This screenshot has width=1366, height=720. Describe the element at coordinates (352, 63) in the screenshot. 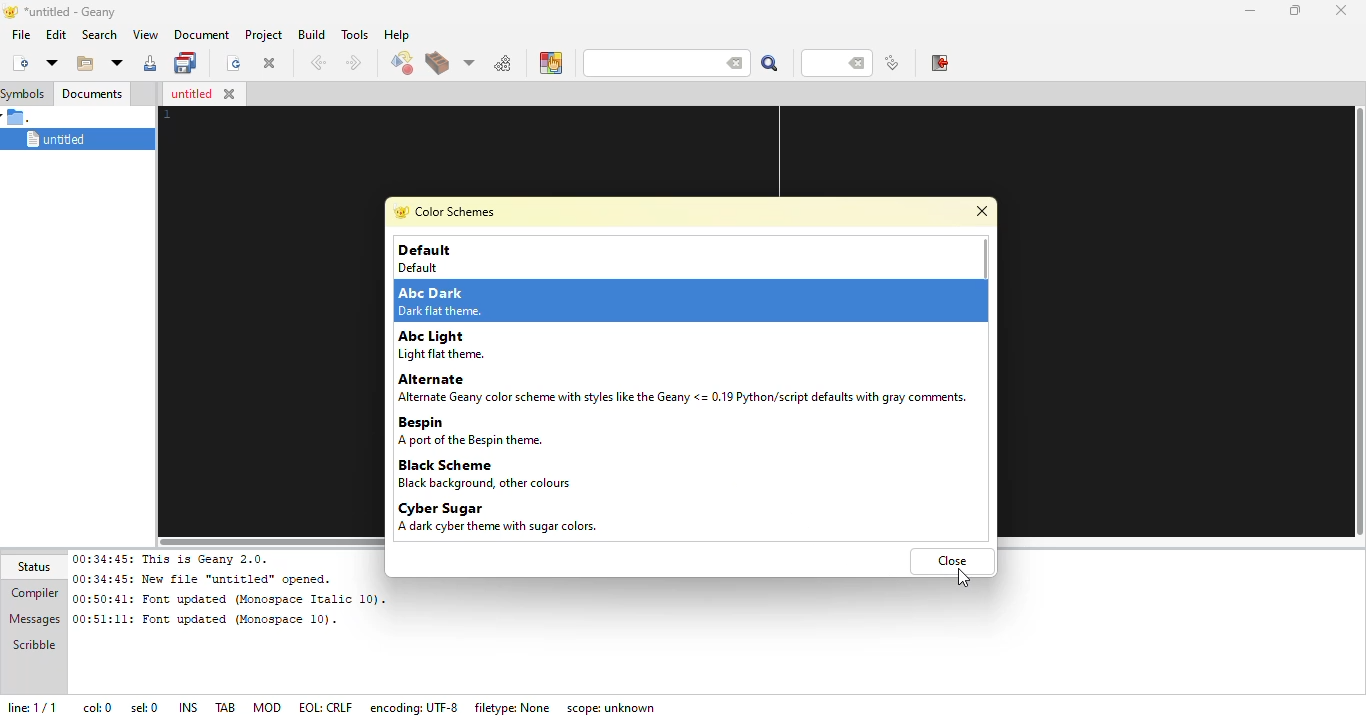

I see `next` at that location.